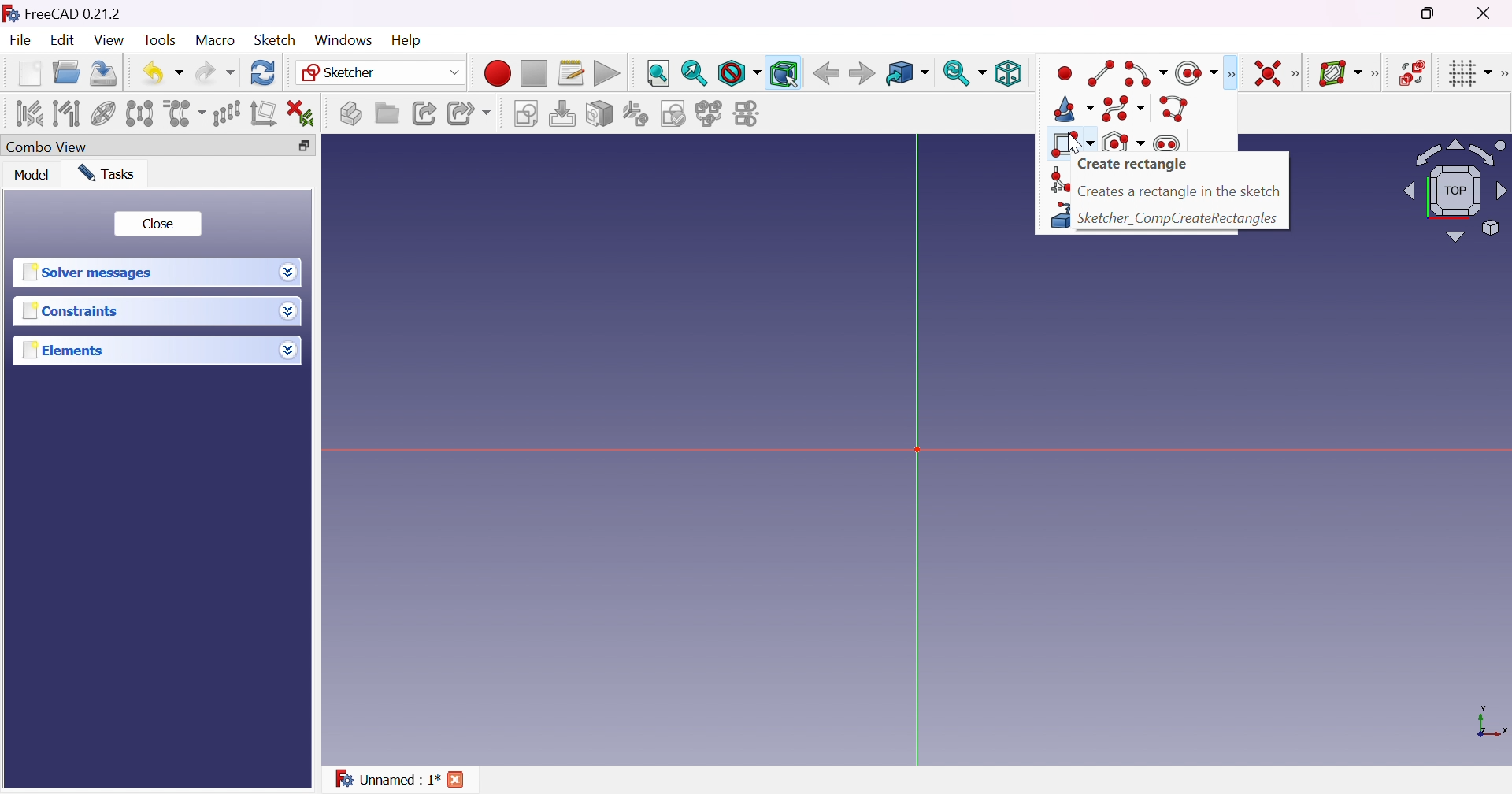  I want to click on Macro recording..., so click(498, 72).